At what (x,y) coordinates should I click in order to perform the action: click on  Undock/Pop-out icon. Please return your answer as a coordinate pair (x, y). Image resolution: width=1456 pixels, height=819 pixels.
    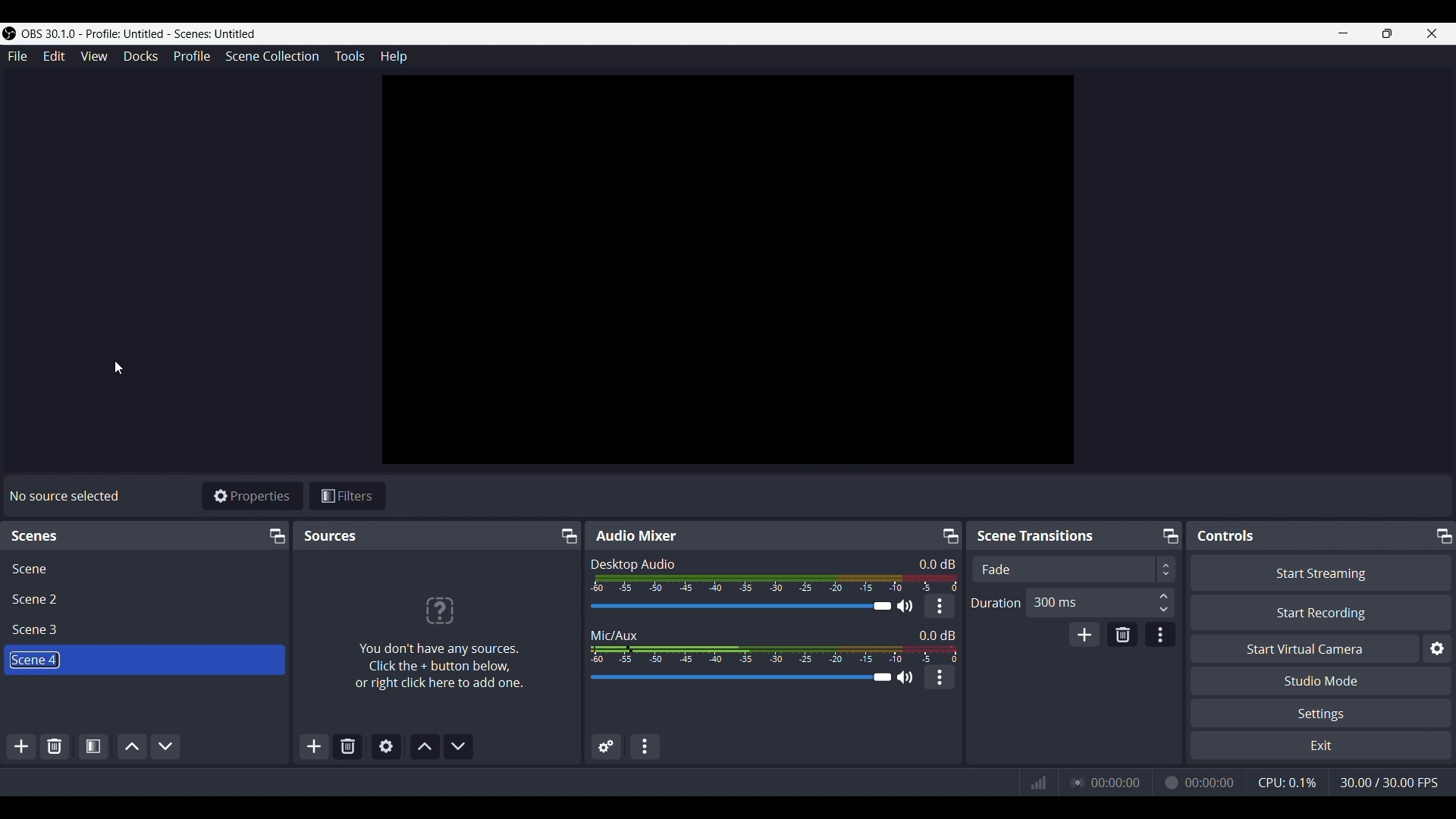
    Looking at the image, I should click on (275, 535).